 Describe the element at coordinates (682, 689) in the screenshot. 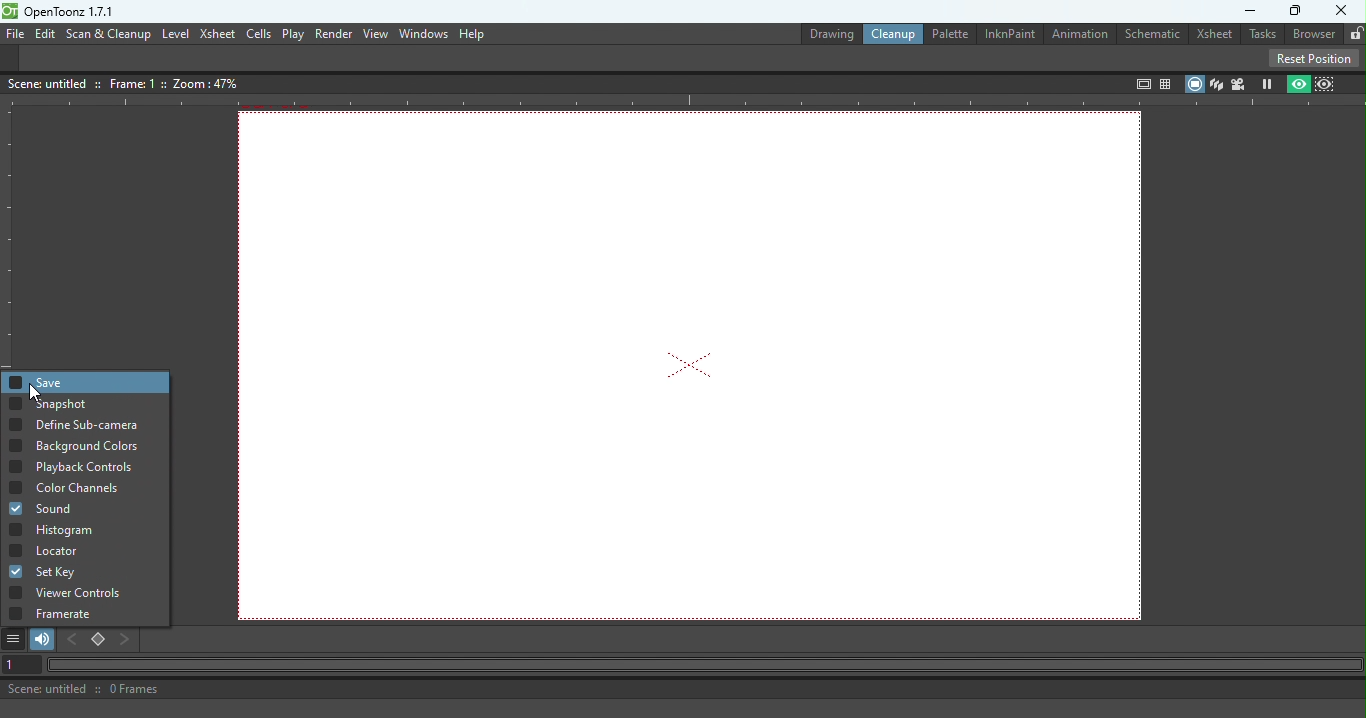

I see `Status bar` at that location.